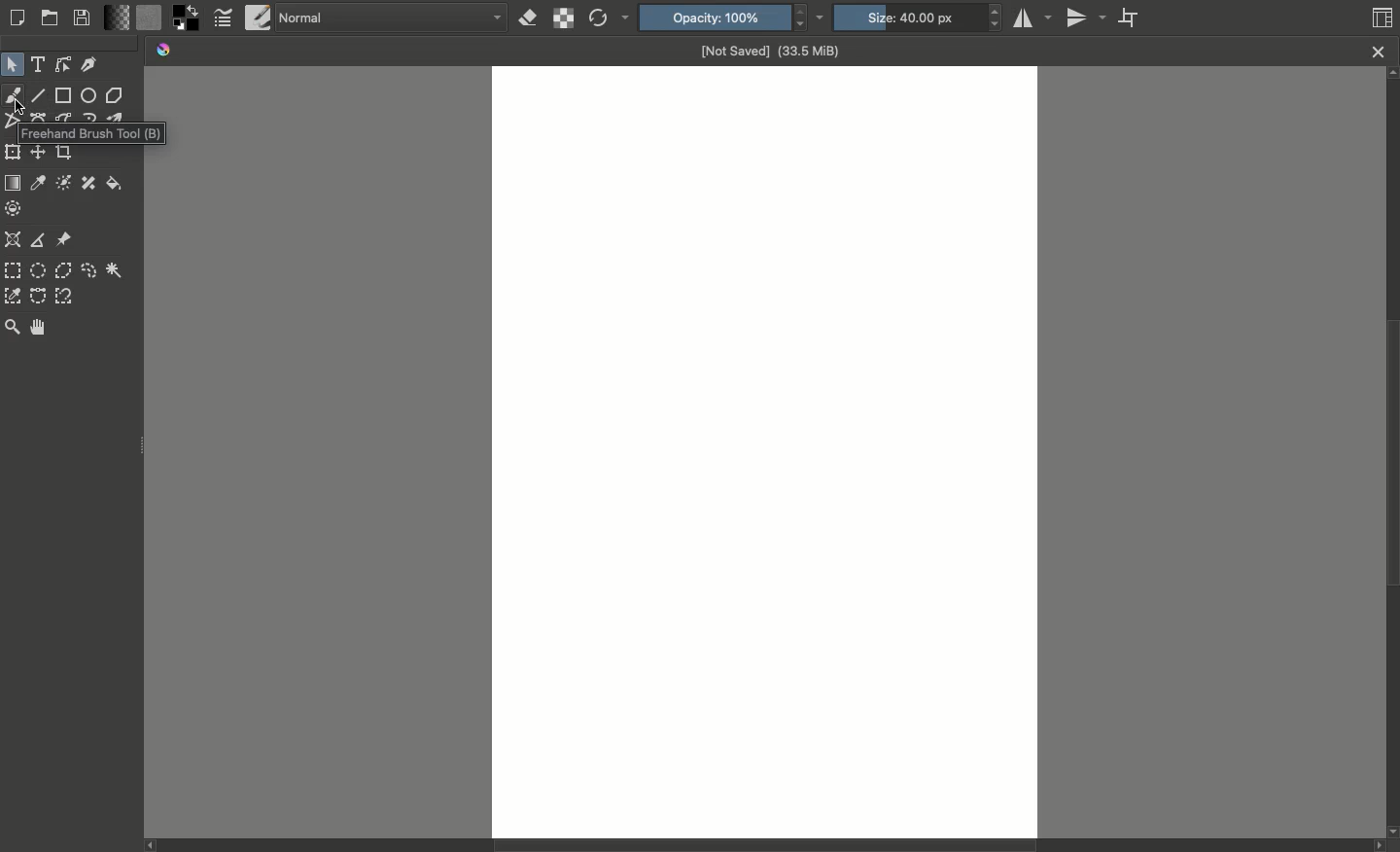 The height and width of the screenshot is (852, 1400). Describe the element at coordinates (64, 95) in the screenshot. I see `Rectangle` at that location.